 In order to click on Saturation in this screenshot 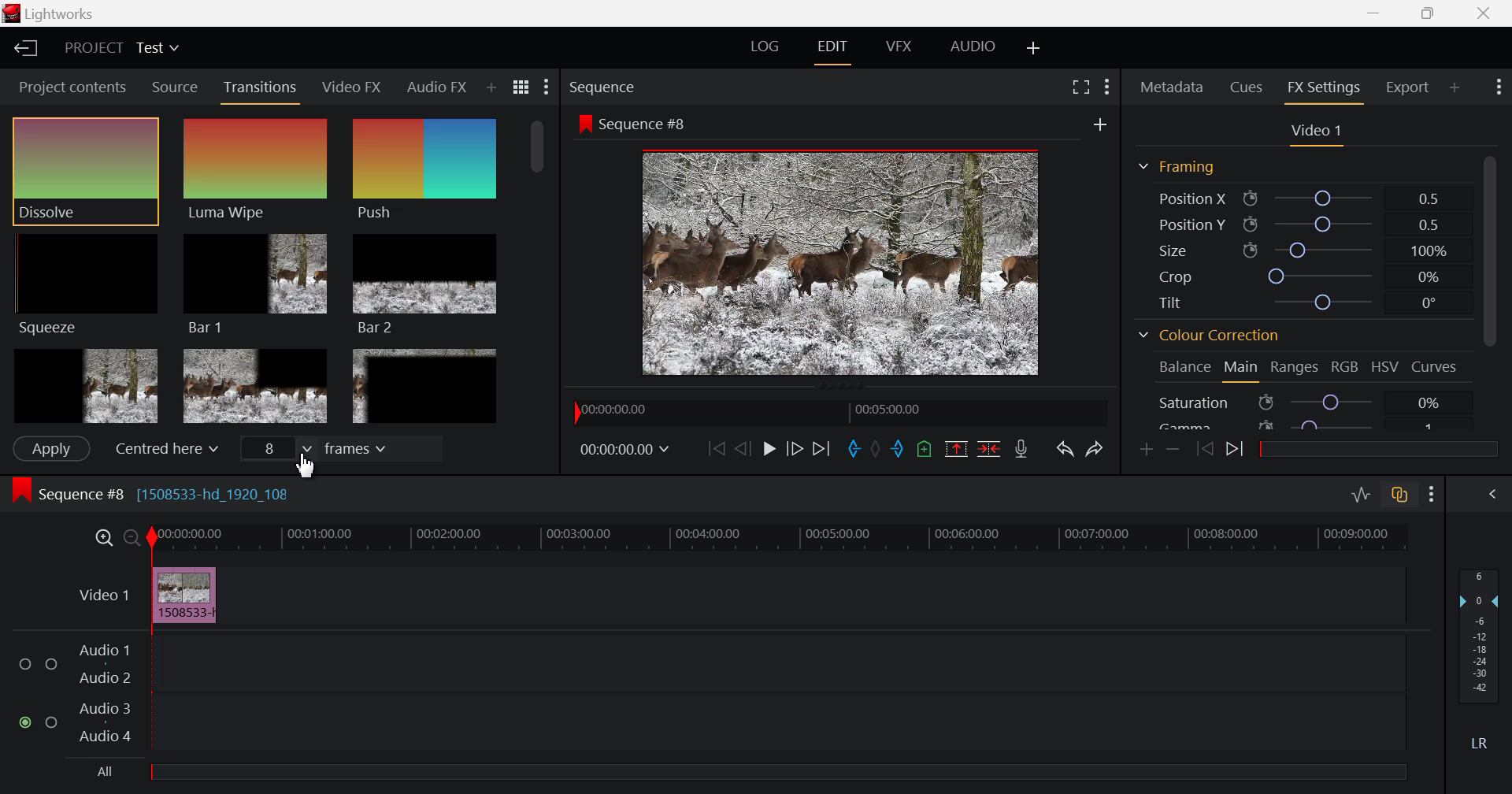, I will do `click(1303, 402)`.